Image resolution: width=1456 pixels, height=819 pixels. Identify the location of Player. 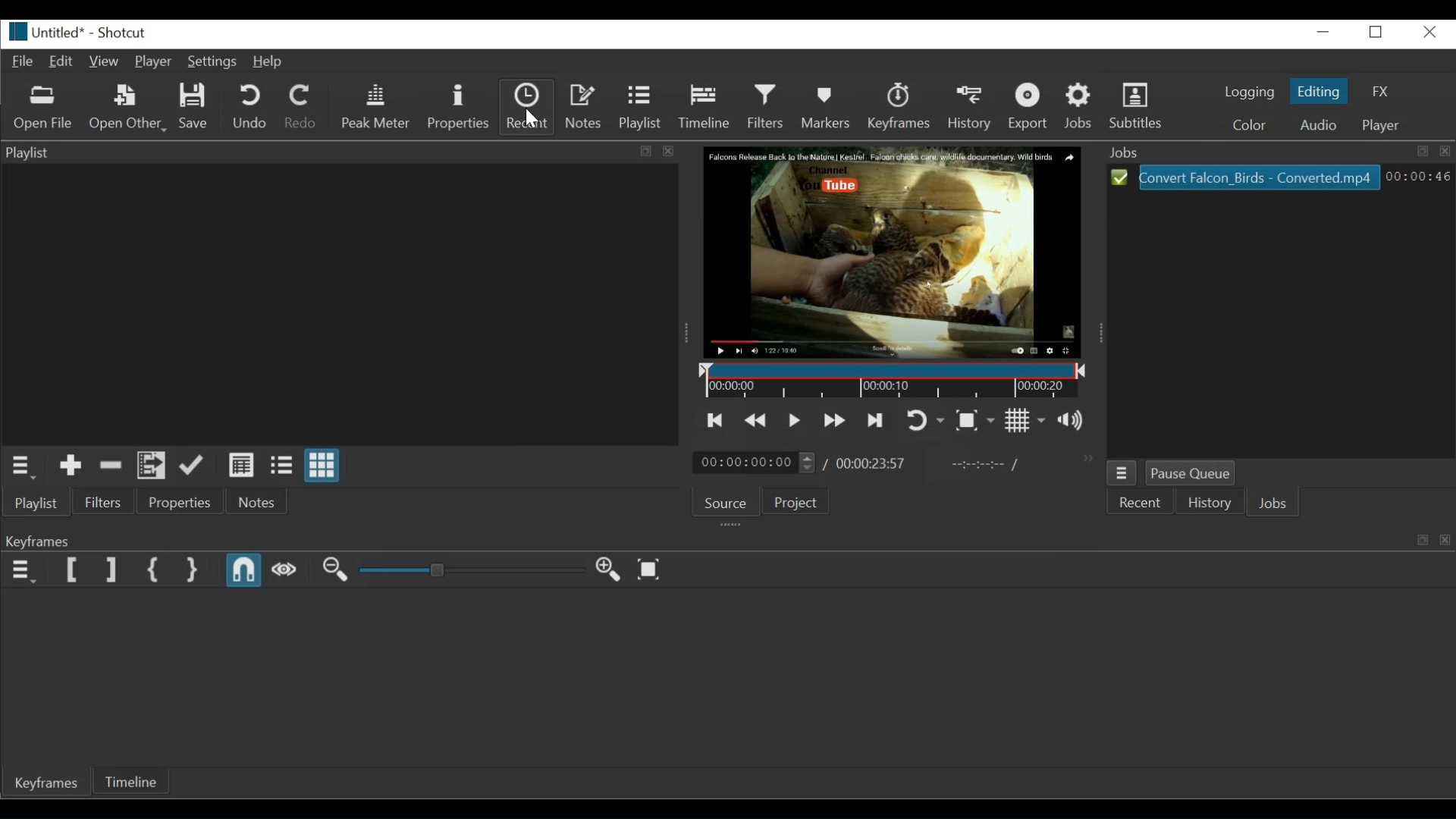
(153, 61).